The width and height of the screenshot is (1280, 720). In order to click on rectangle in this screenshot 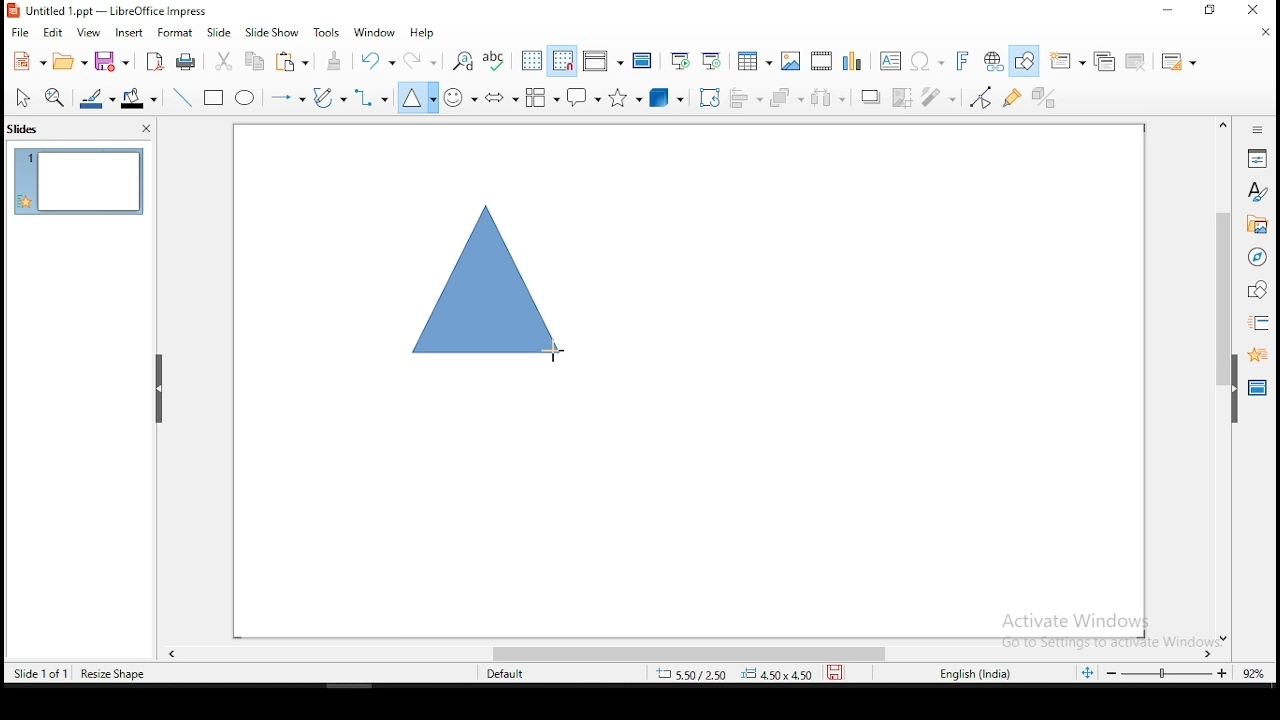, I will do `click(215, 99)`.